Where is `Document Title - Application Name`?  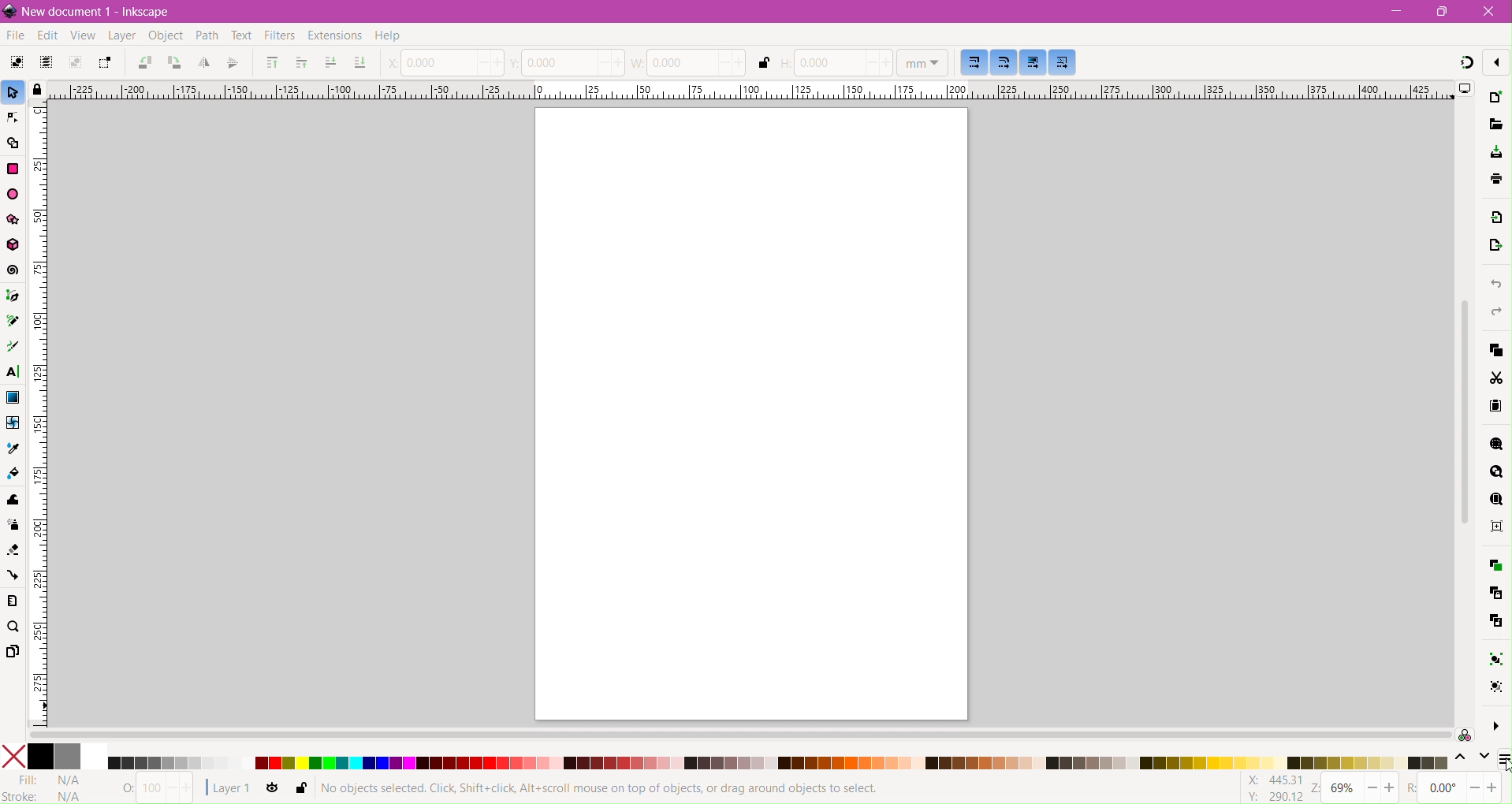 Document Title - Application Name is located at coordinates (101, 12).